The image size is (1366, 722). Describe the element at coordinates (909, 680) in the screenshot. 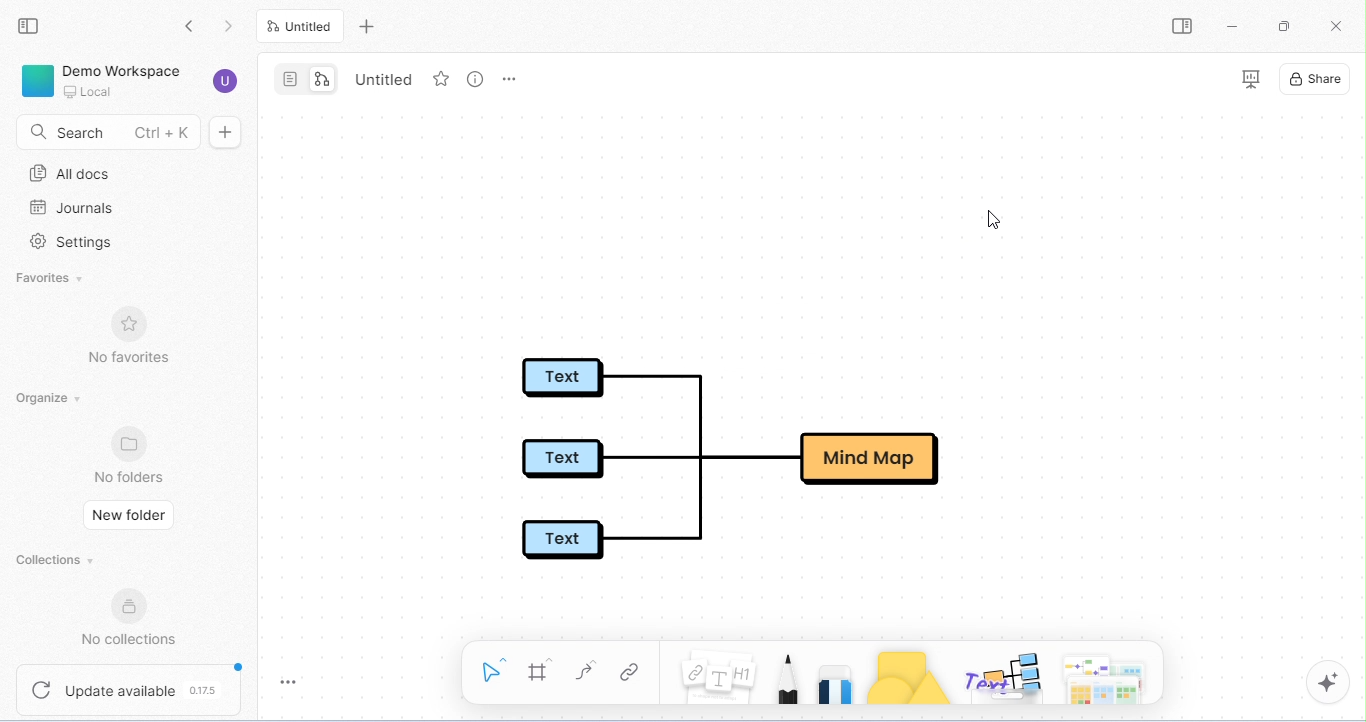

I see `shapes` at that location.